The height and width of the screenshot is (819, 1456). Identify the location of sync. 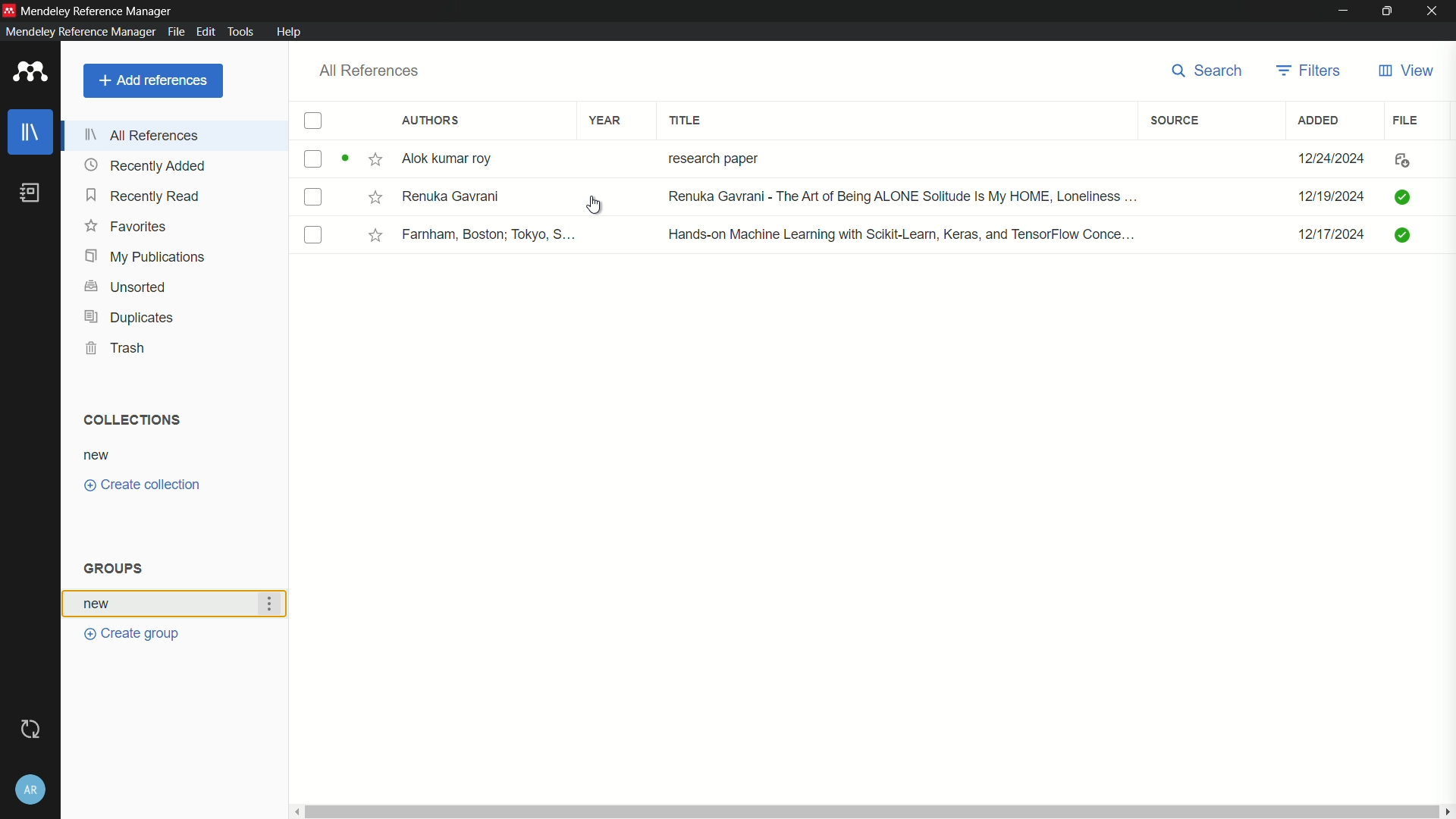
(29, 730).